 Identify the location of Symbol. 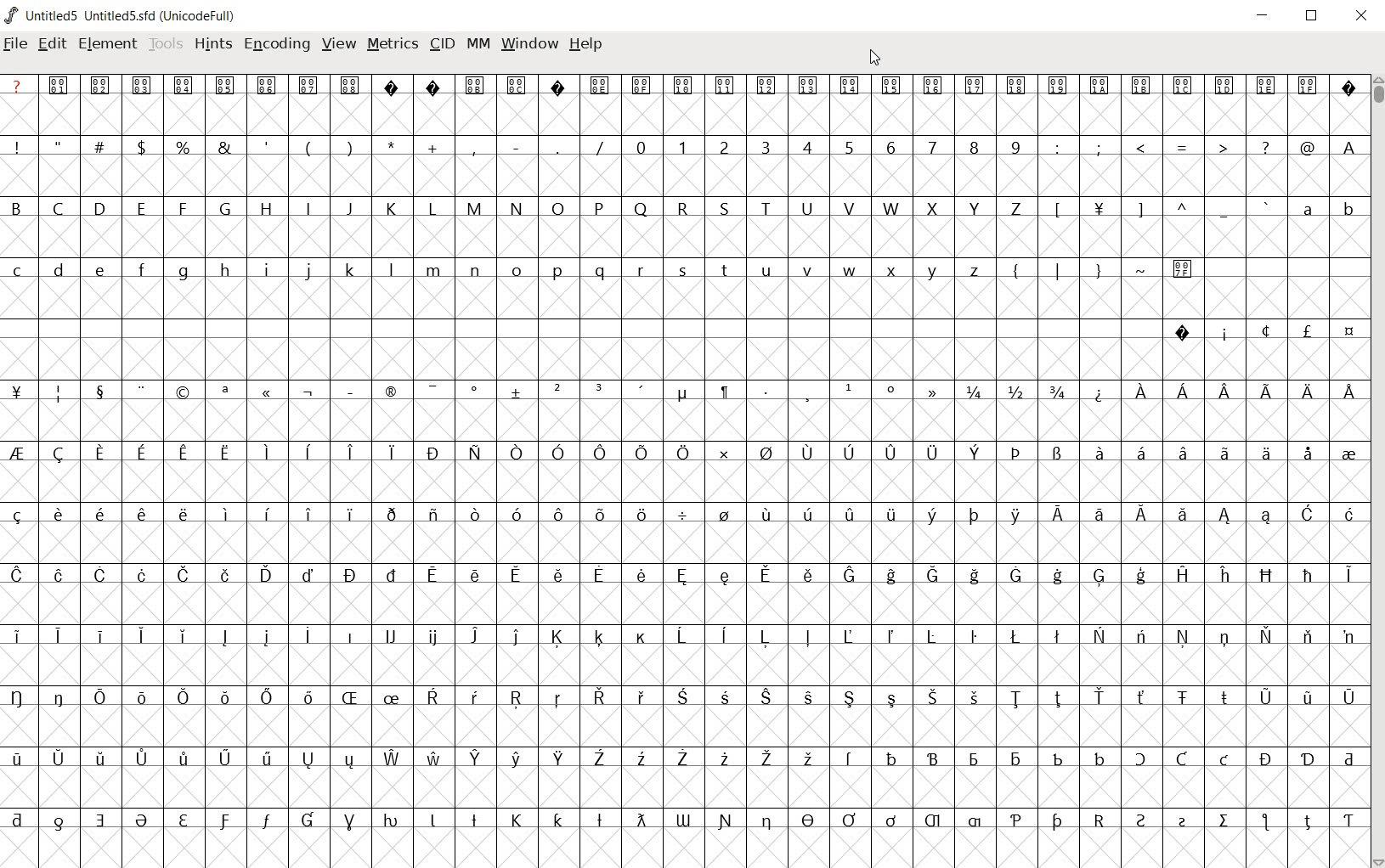
(1143, 760).